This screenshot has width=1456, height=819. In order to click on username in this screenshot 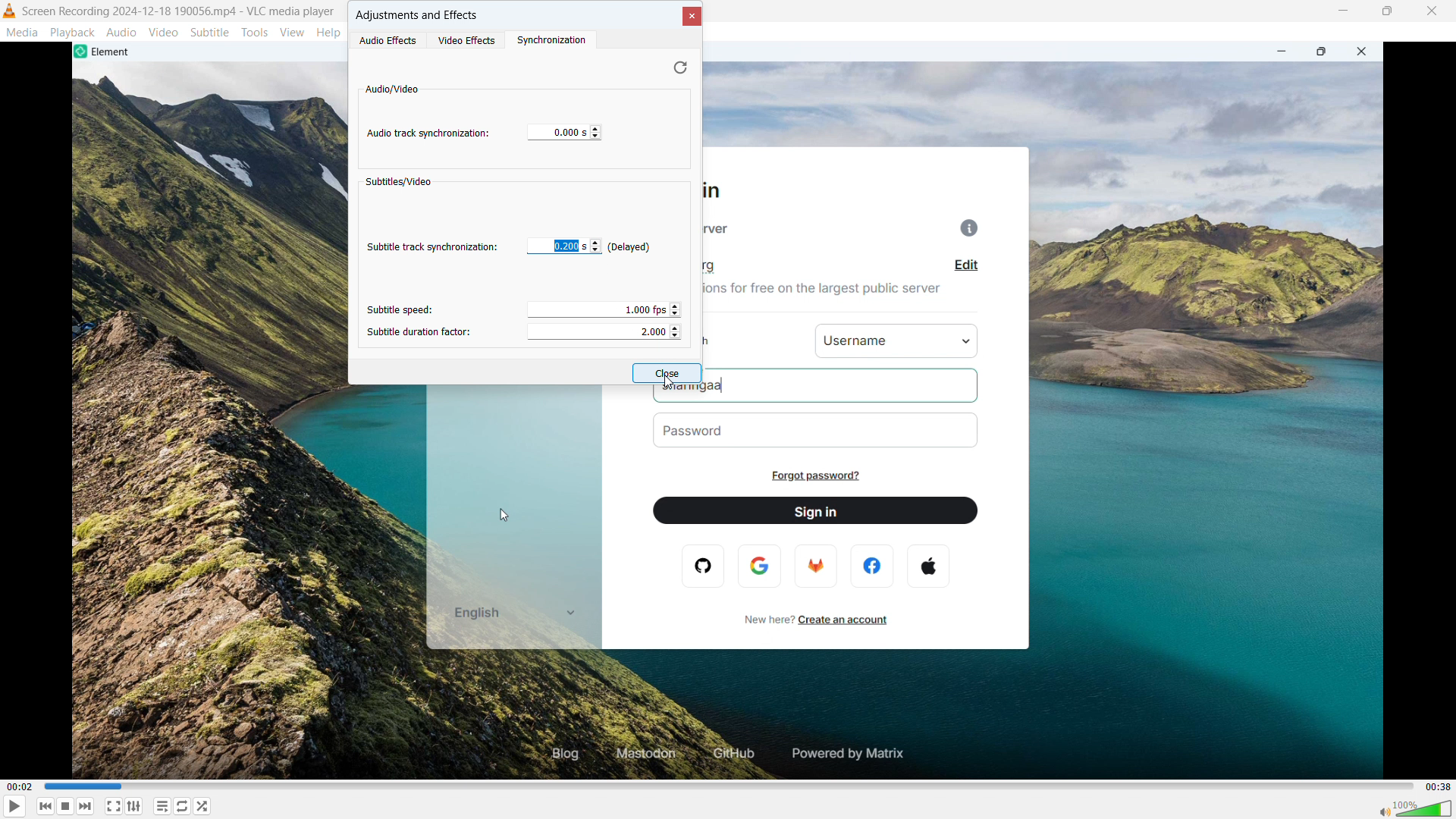, I will do `click(898, 339)`.